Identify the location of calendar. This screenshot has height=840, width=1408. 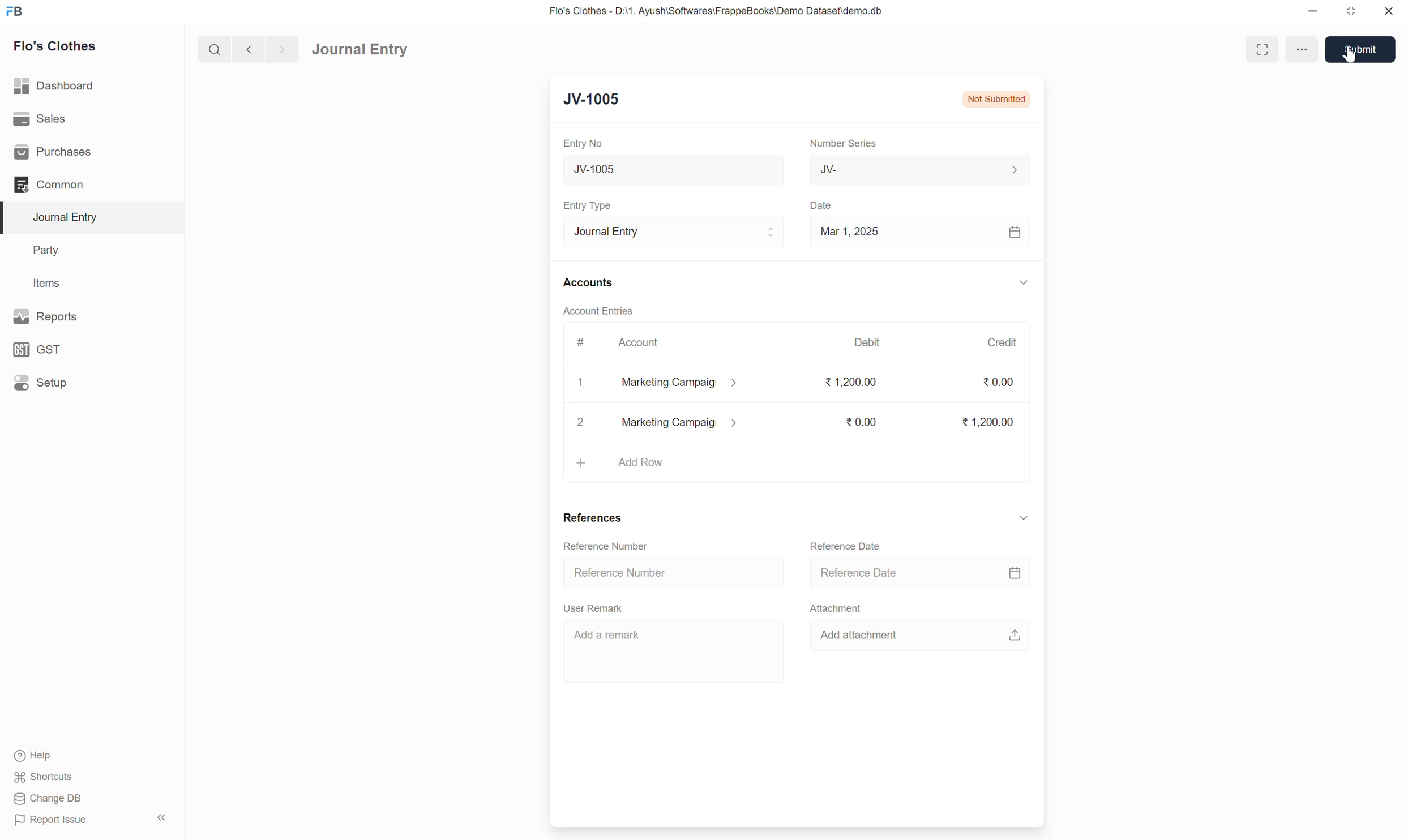
(1013, 573).